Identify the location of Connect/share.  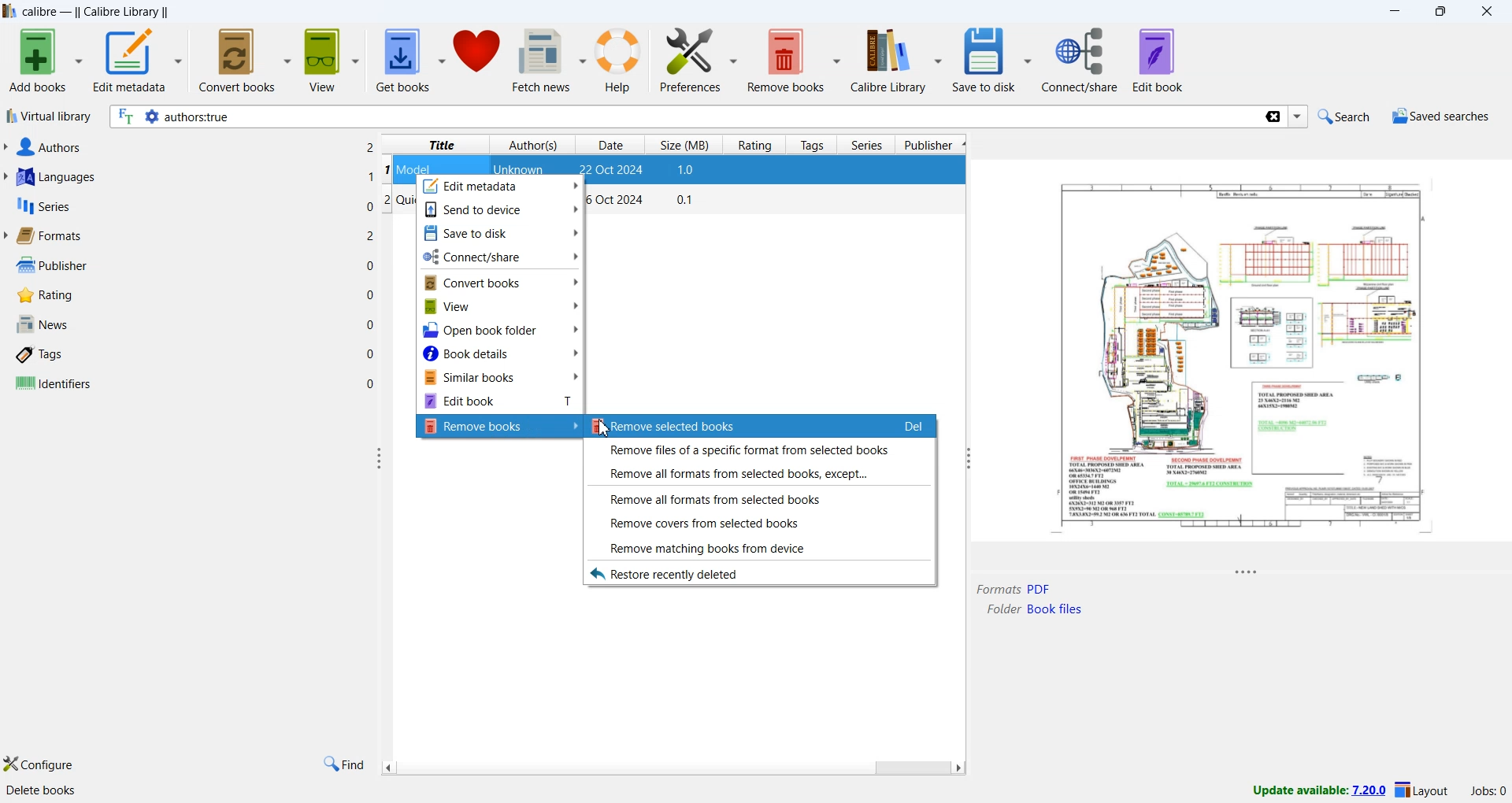
(501, 257).